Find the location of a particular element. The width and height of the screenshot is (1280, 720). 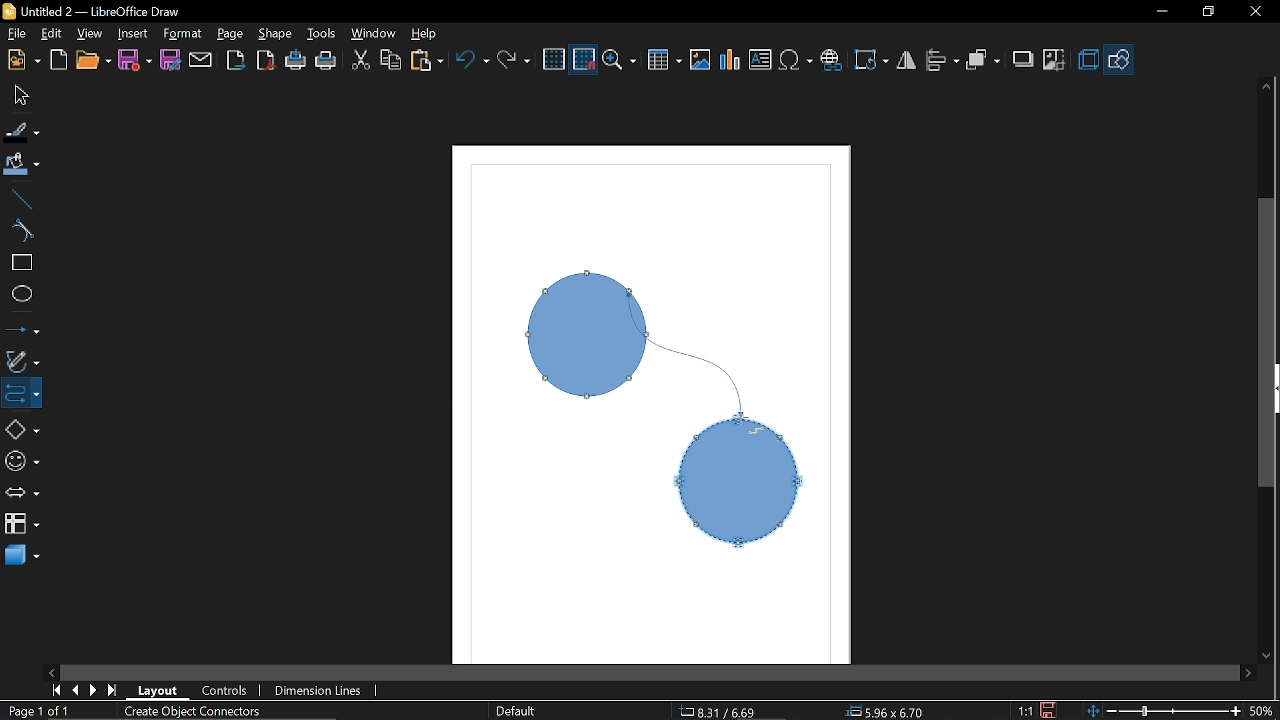

CO-ordinates is located at coordinates (730, 711).